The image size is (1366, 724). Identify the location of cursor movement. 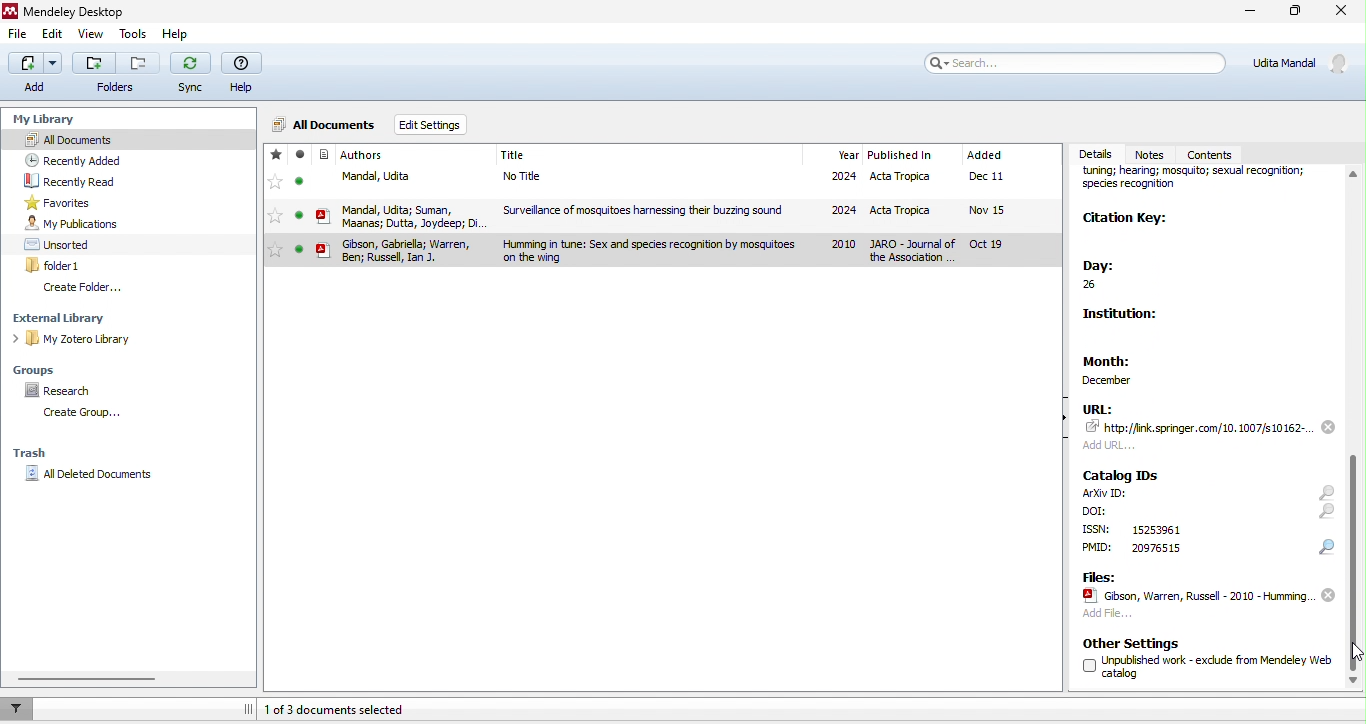
(1355, 655).